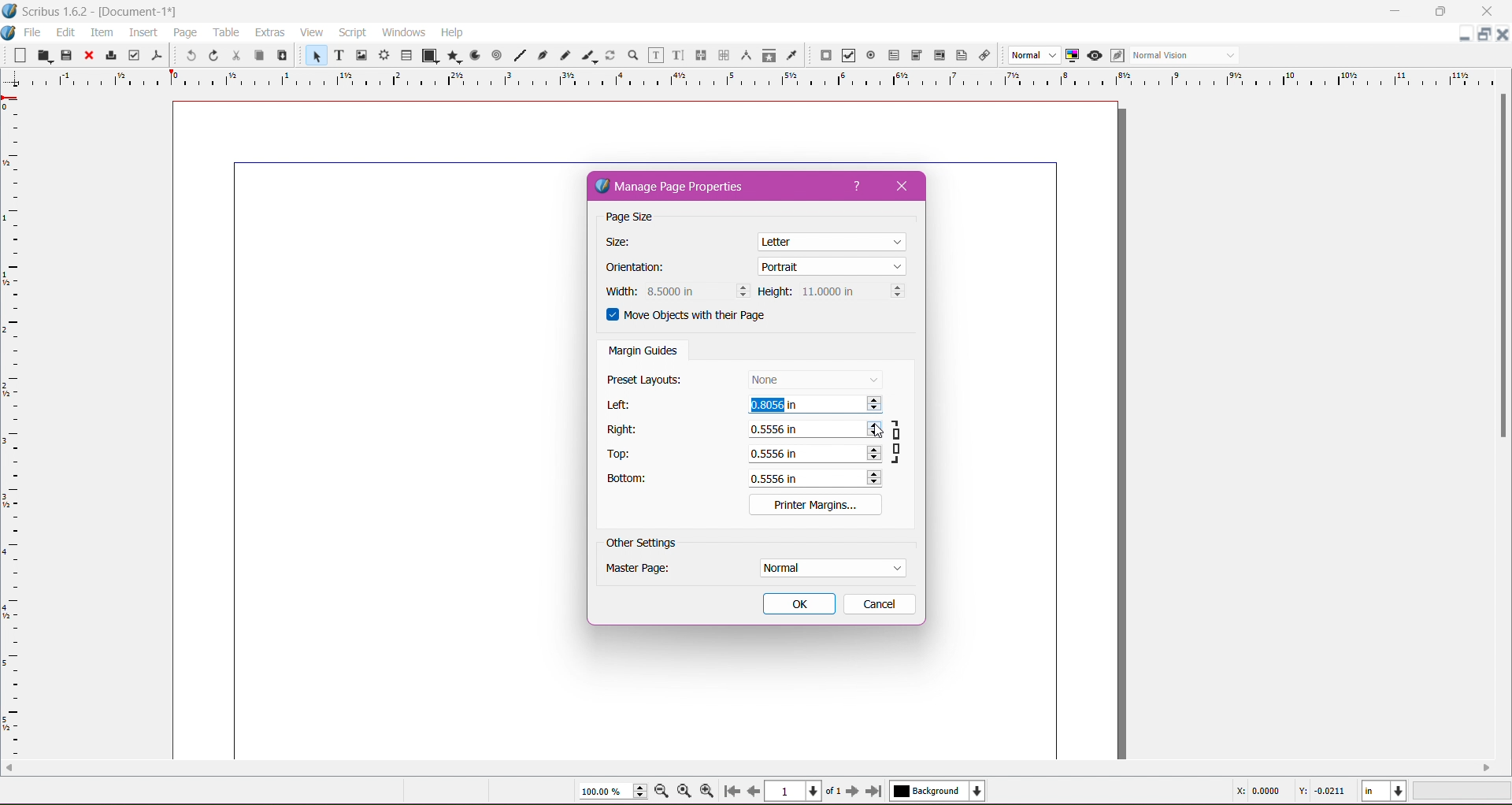  I want to click on Help, so click(858, 187).